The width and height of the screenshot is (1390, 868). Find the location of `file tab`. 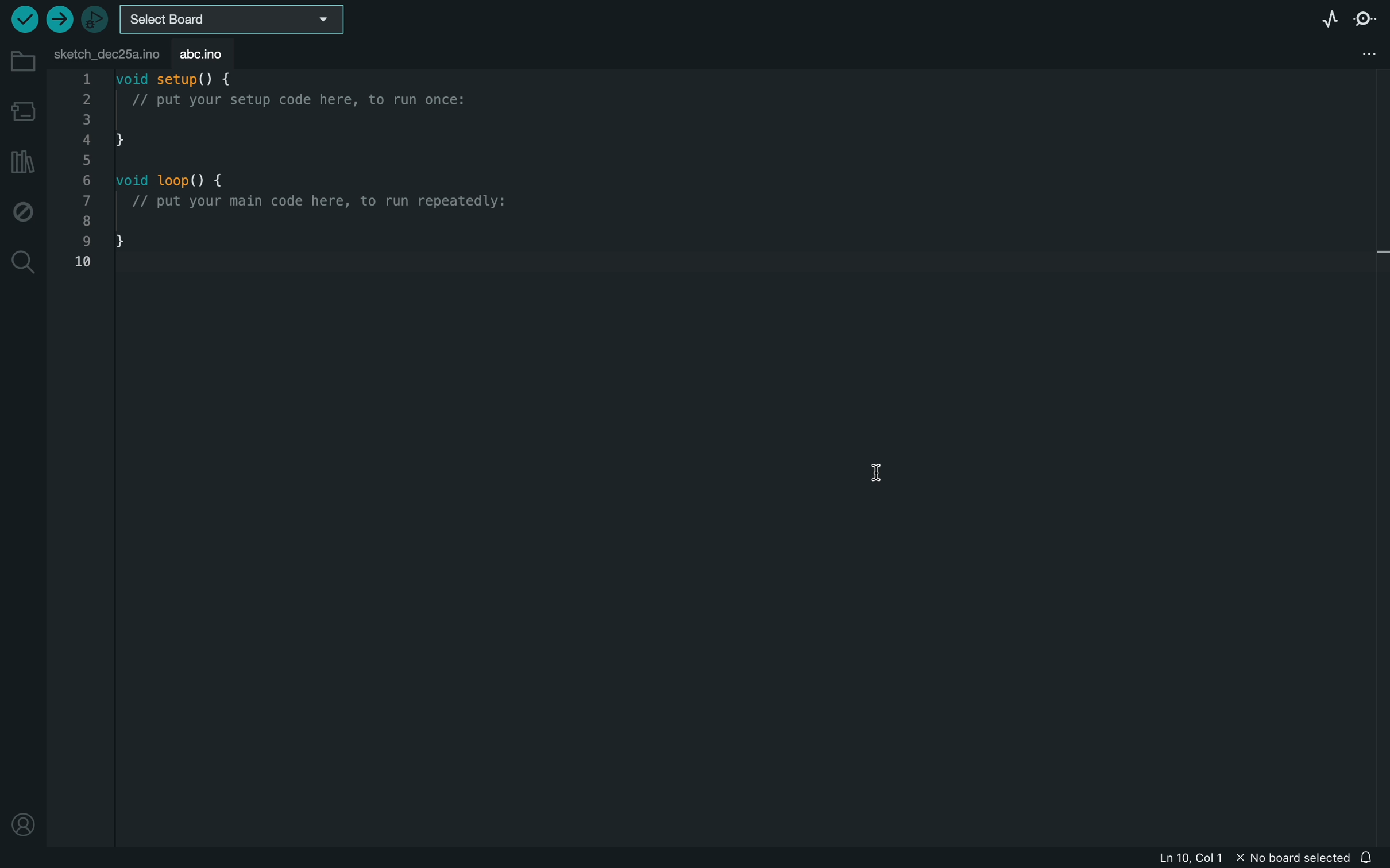

file tab is located at coordinates (106, 52).